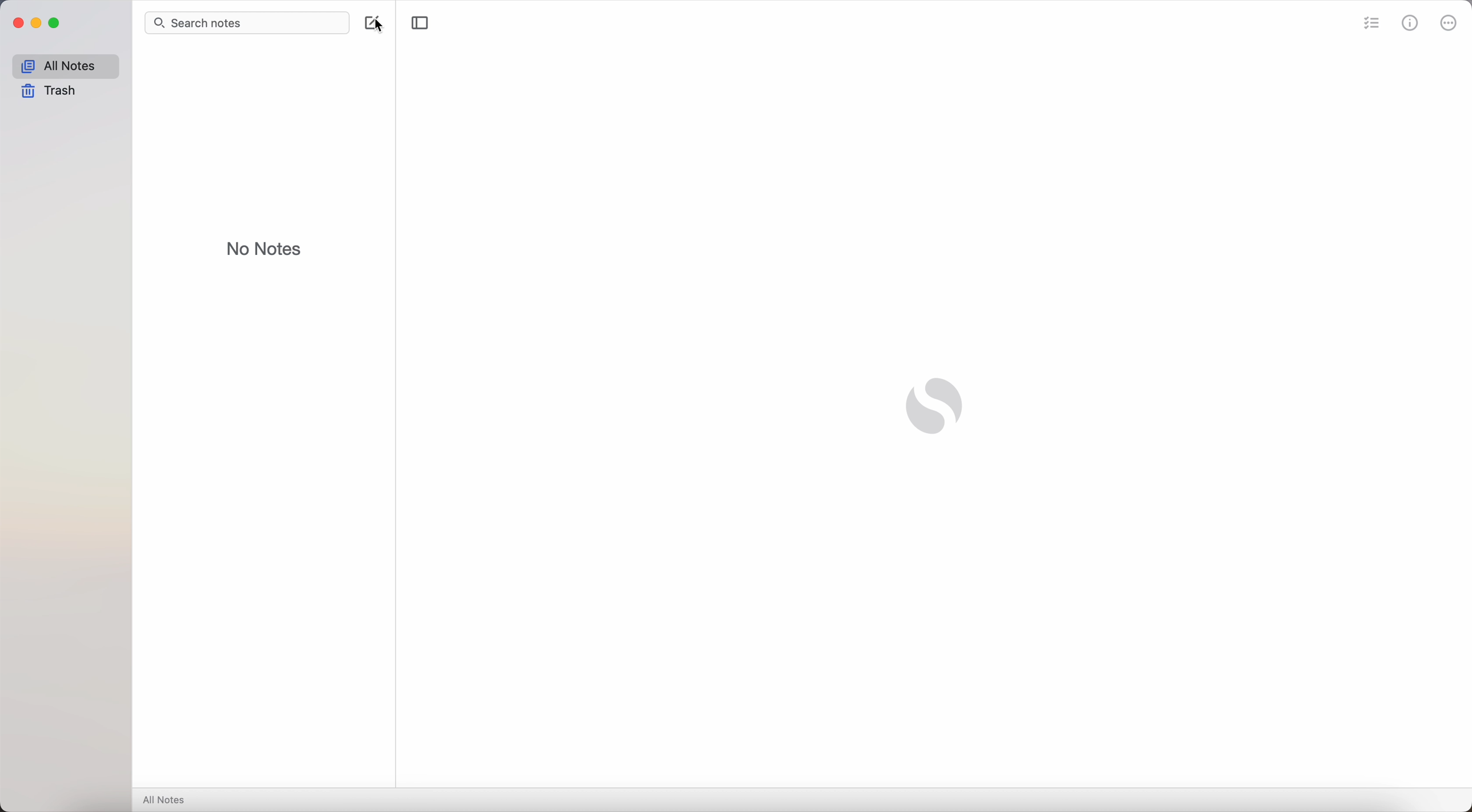 The width and height of the screenshot is (1472, 812). What do you see at coordinates (16, 23) in the screenshot?
I see `close Simplenote` at bounding box center [16, 23].